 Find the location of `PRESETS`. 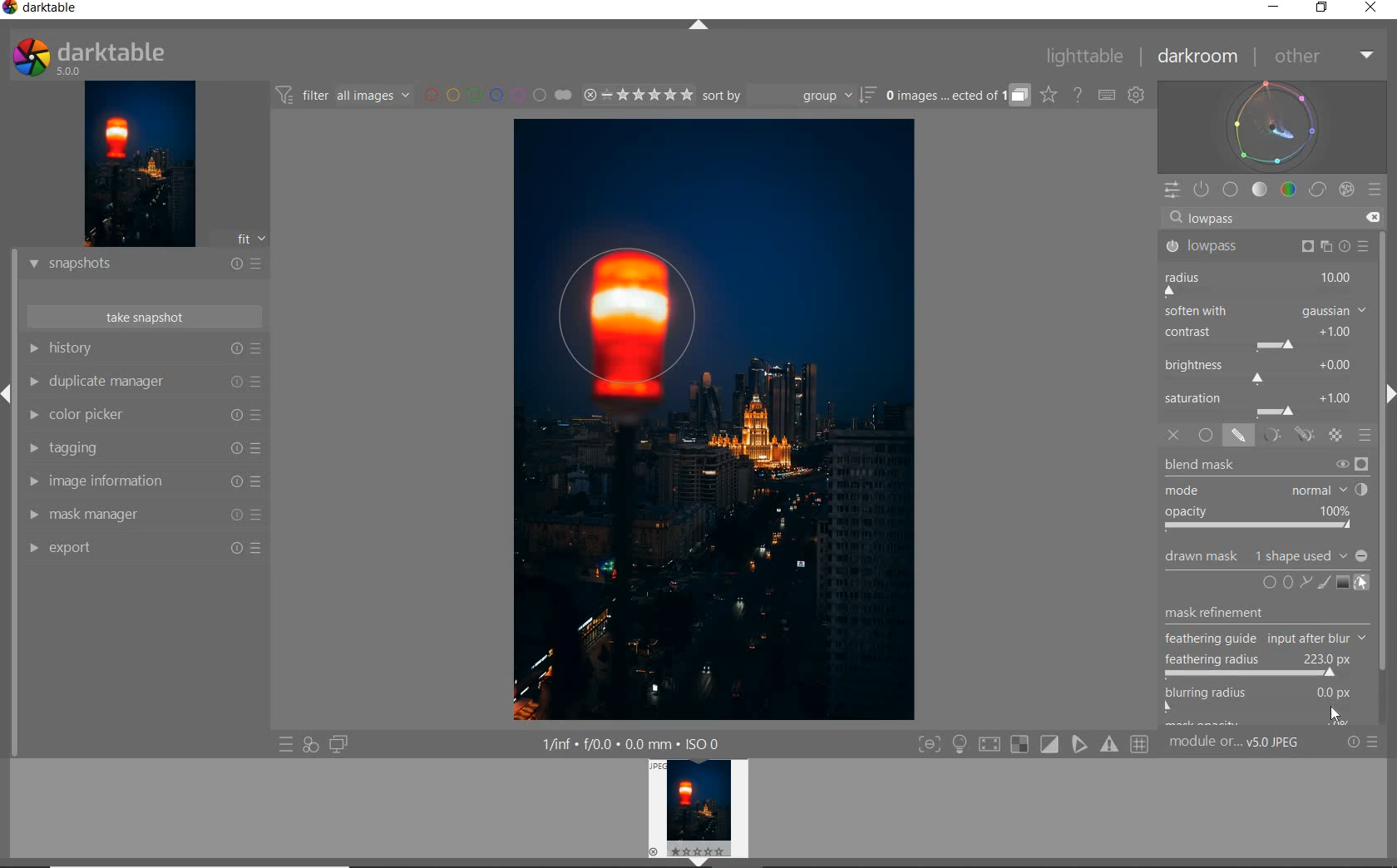

PRESETS is located at coordinates (1376, 191).